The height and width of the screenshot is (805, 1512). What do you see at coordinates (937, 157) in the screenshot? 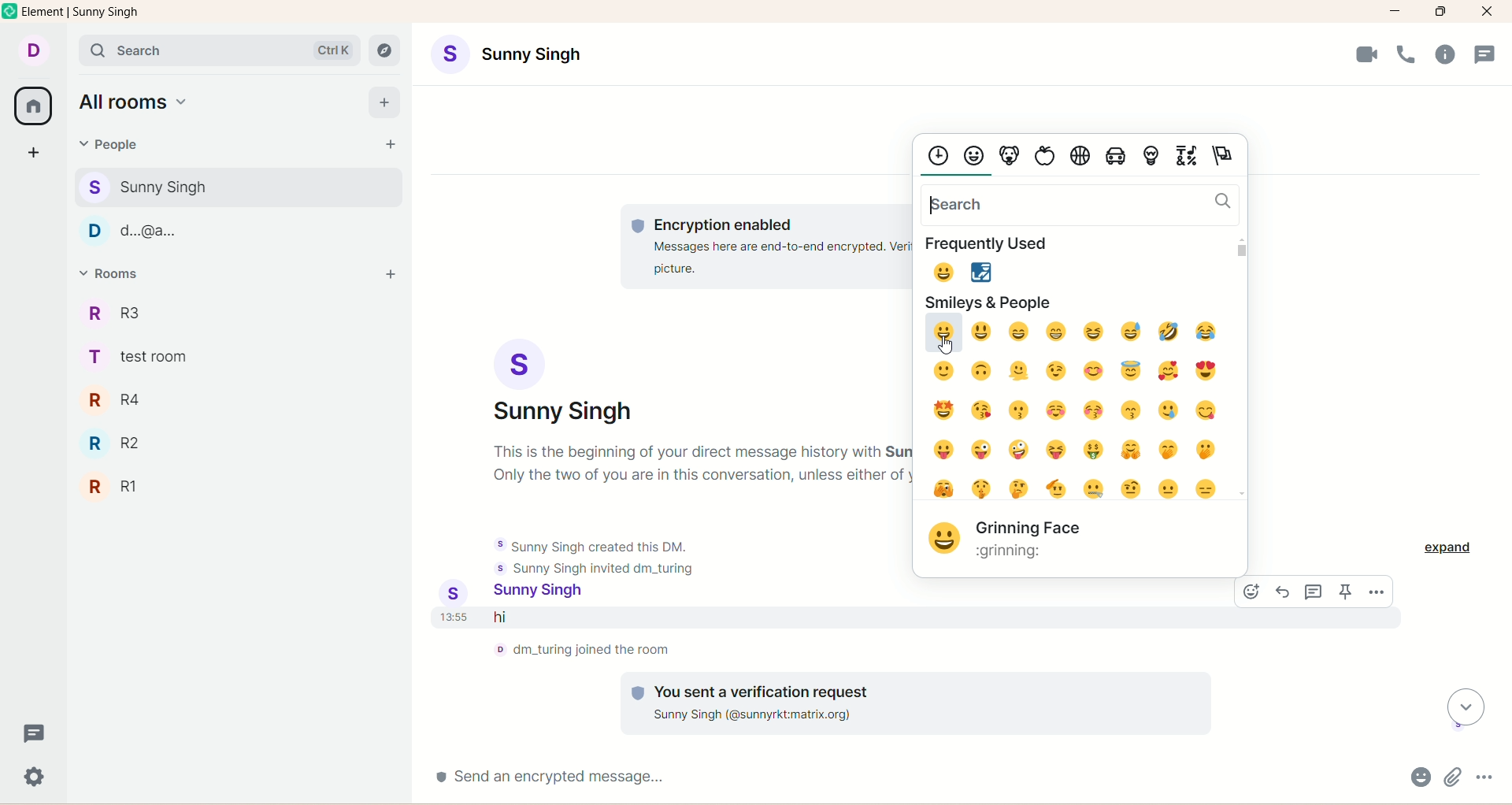
I see `Frequently used` at bounding box center [937, 157].